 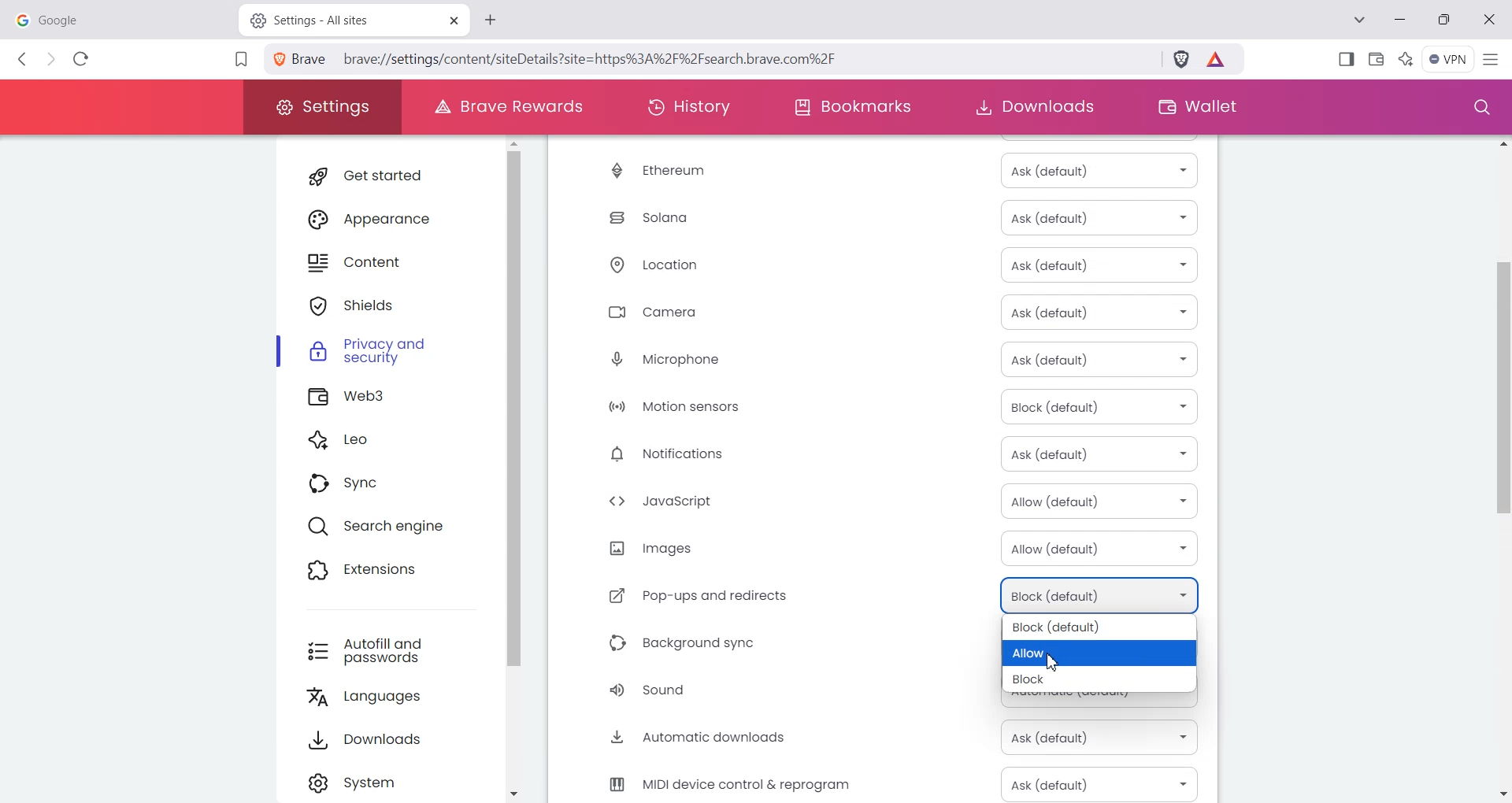 What do you see at coordinates (391, 398) in the screenshot?
I see `Web3` at bounding box center [391, 398].